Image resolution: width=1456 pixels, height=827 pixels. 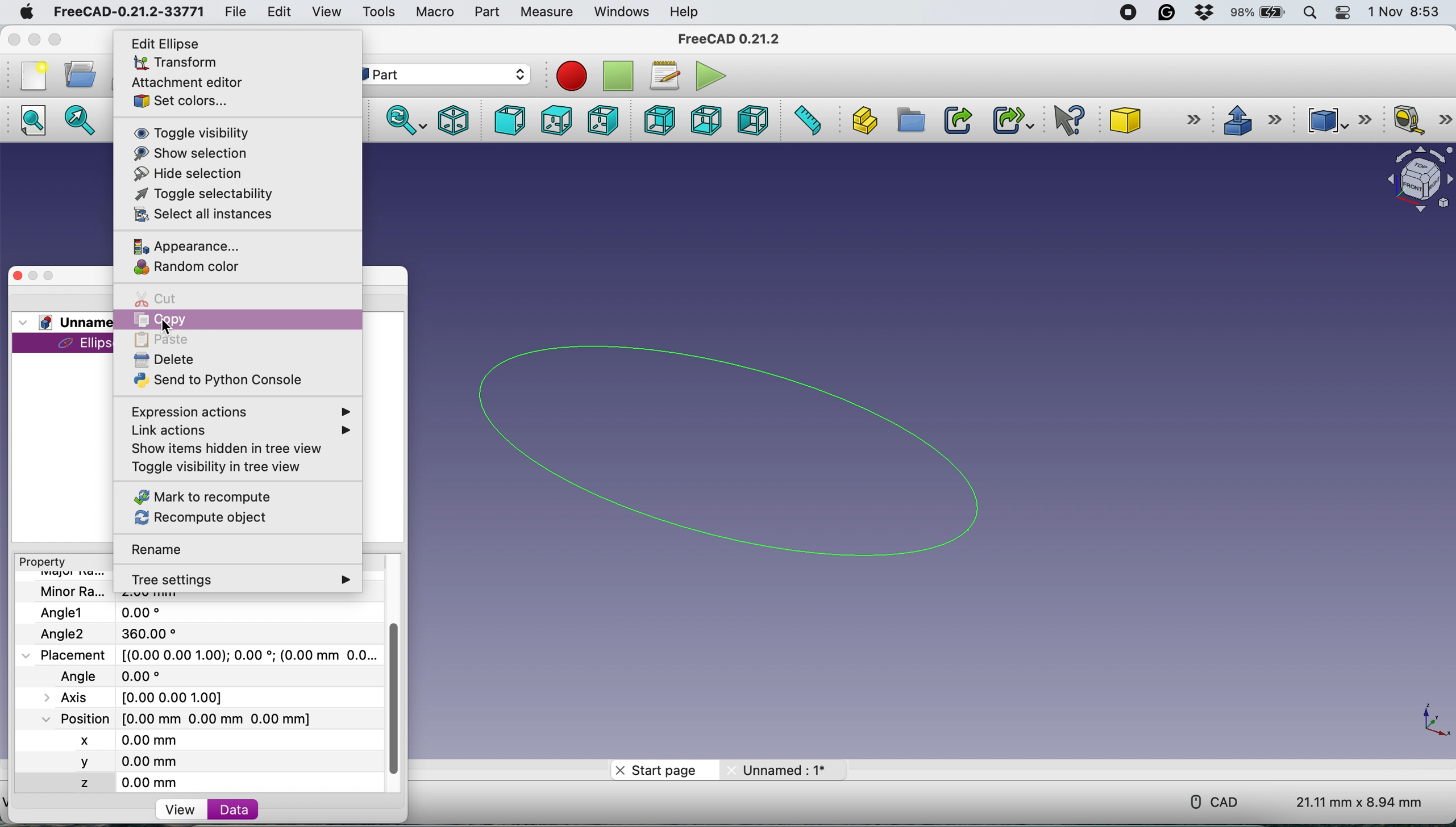 What do you see at coordinates (234, 809) in the screenshot?
I see `data` at bounding box center [234, 809].